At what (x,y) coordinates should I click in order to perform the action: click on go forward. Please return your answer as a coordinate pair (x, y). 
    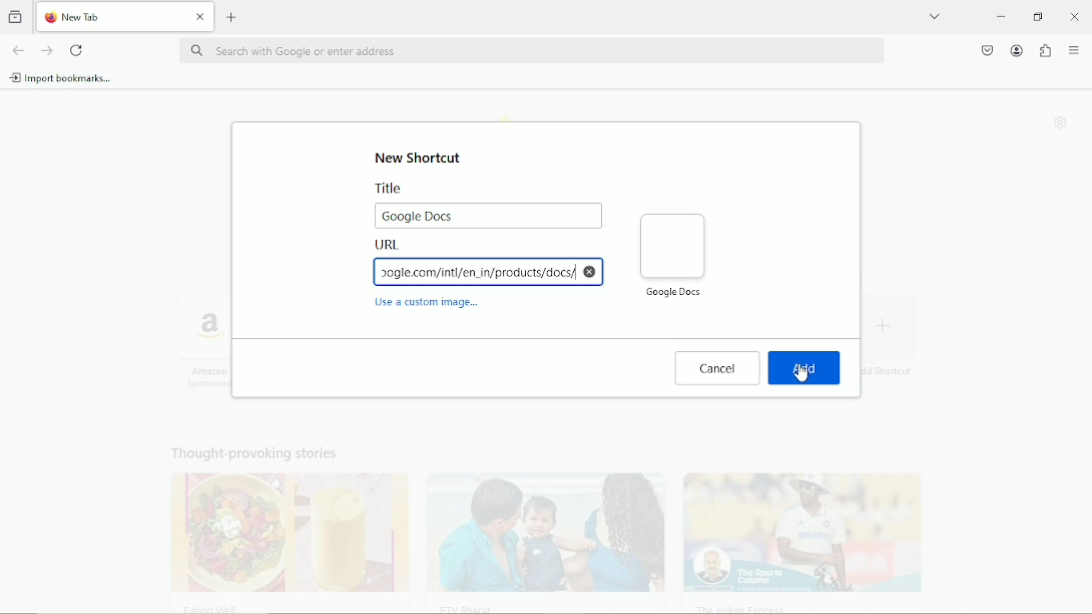
    Looking at the image, I should click on (48, 51).